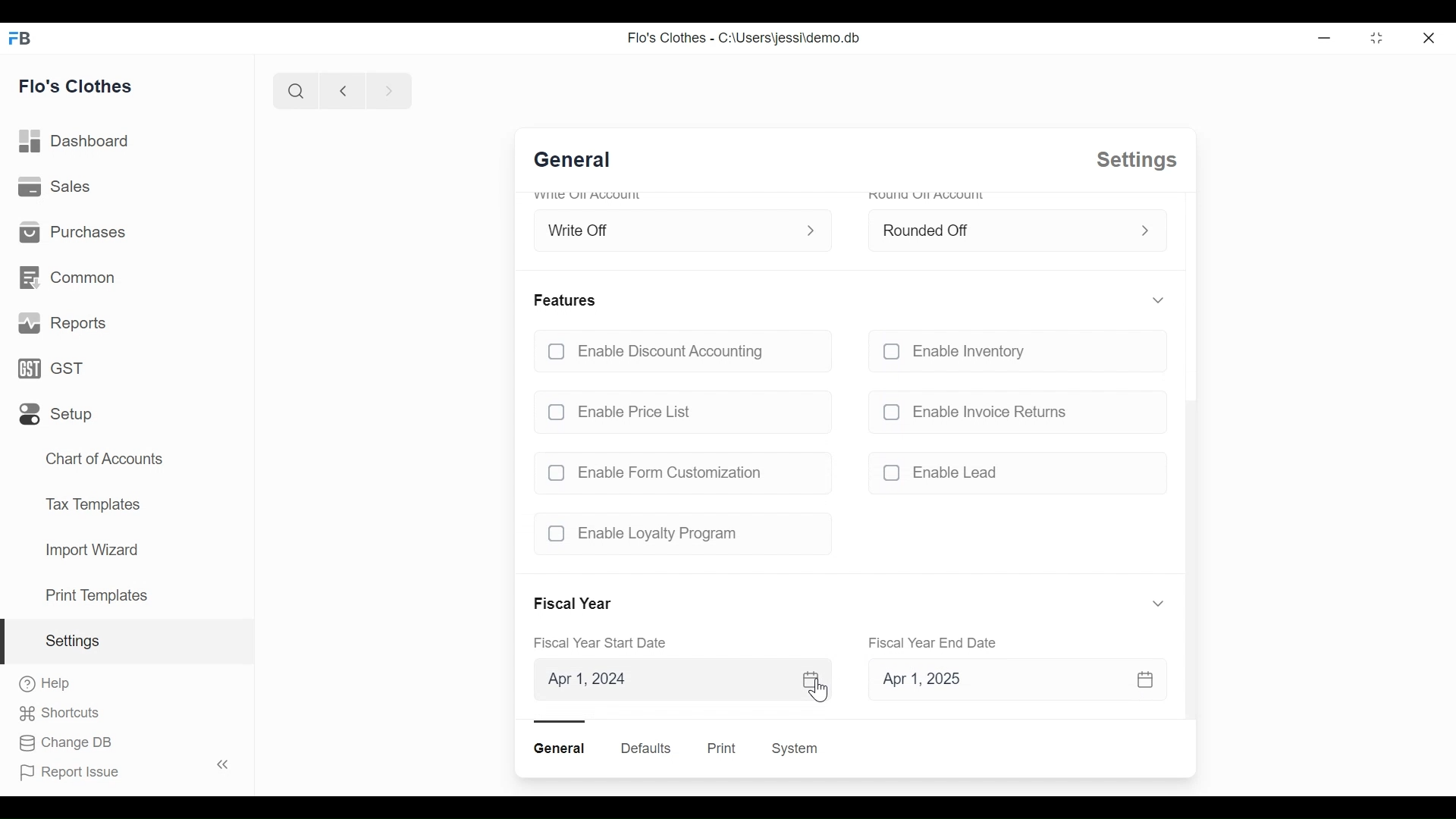 This screenshot has width=1456, height=819. Describe the element at coordinates (1012, 354) in the screenshot. I see `unchecked Enable Inventory` at that location.